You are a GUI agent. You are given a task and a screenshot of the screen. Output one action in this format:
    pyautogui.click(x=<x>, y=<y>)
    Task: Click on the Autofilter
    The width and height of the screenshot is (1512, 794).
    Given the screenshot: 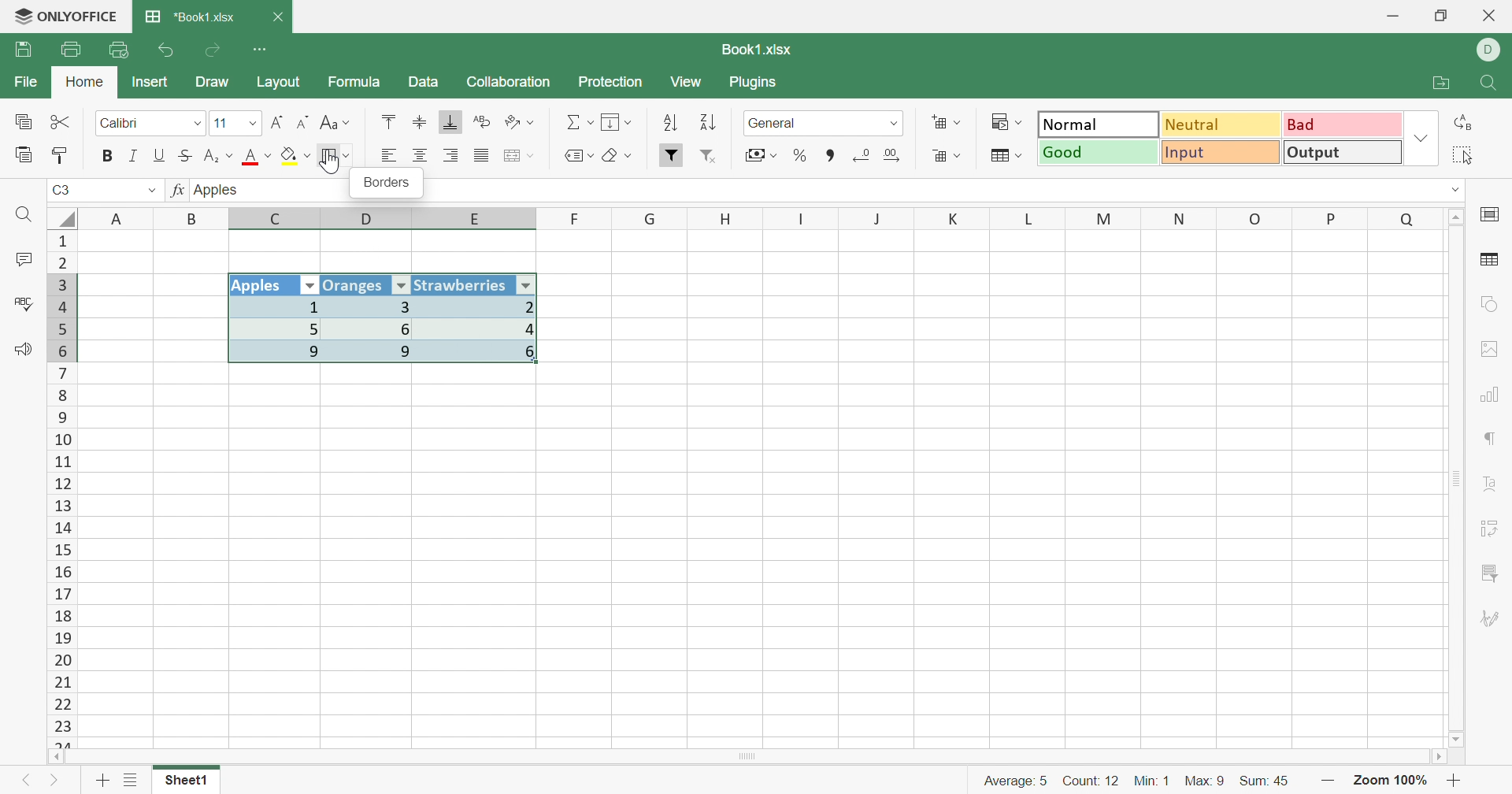 What is the action you would take?
    pyautogui.click(x=528, y=284)
    